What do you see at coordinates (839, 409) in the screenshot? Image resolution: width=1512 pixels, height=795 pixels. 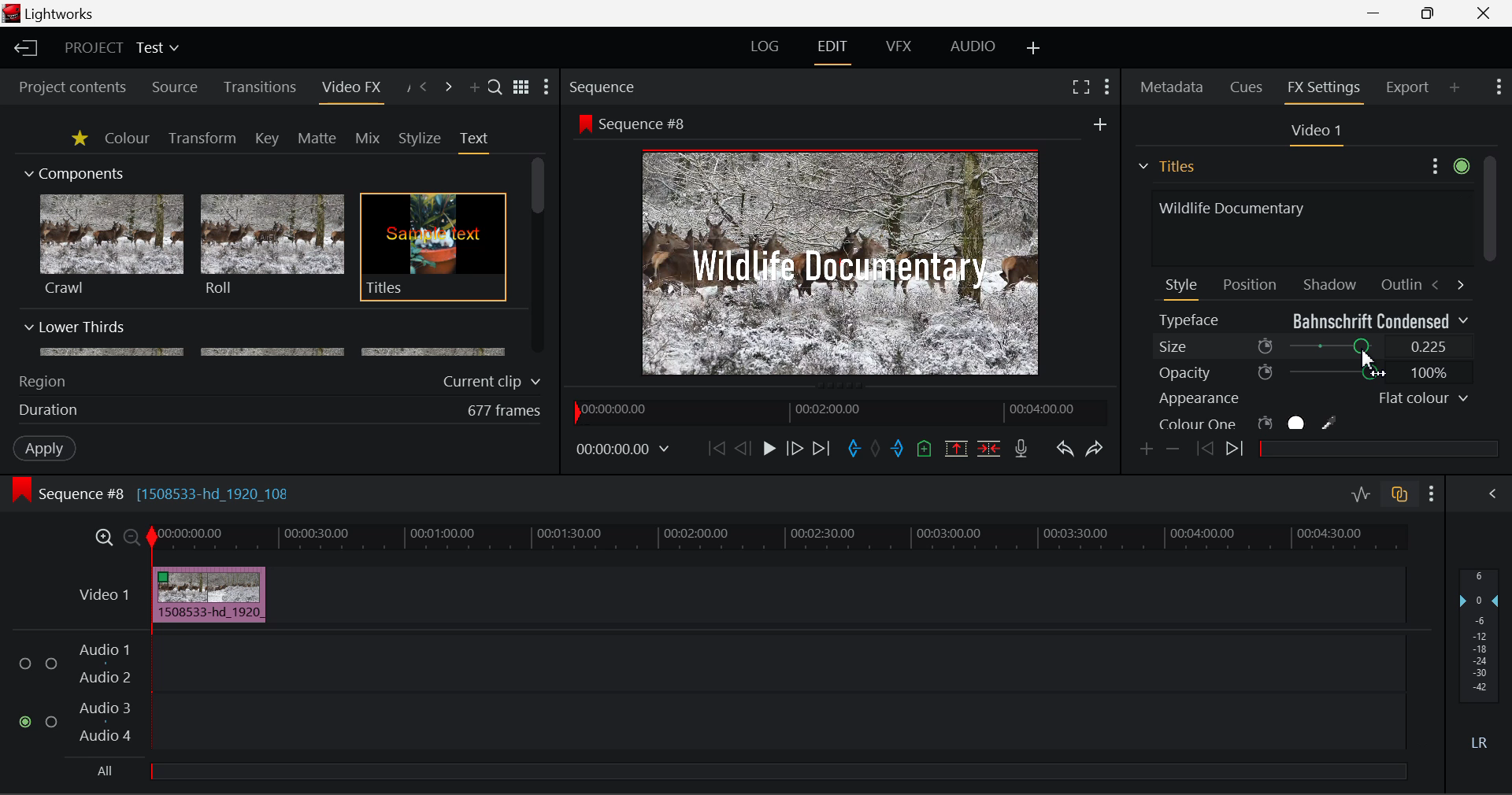 I see `Project Timeline Navigator` at bounding box center [839, 409].